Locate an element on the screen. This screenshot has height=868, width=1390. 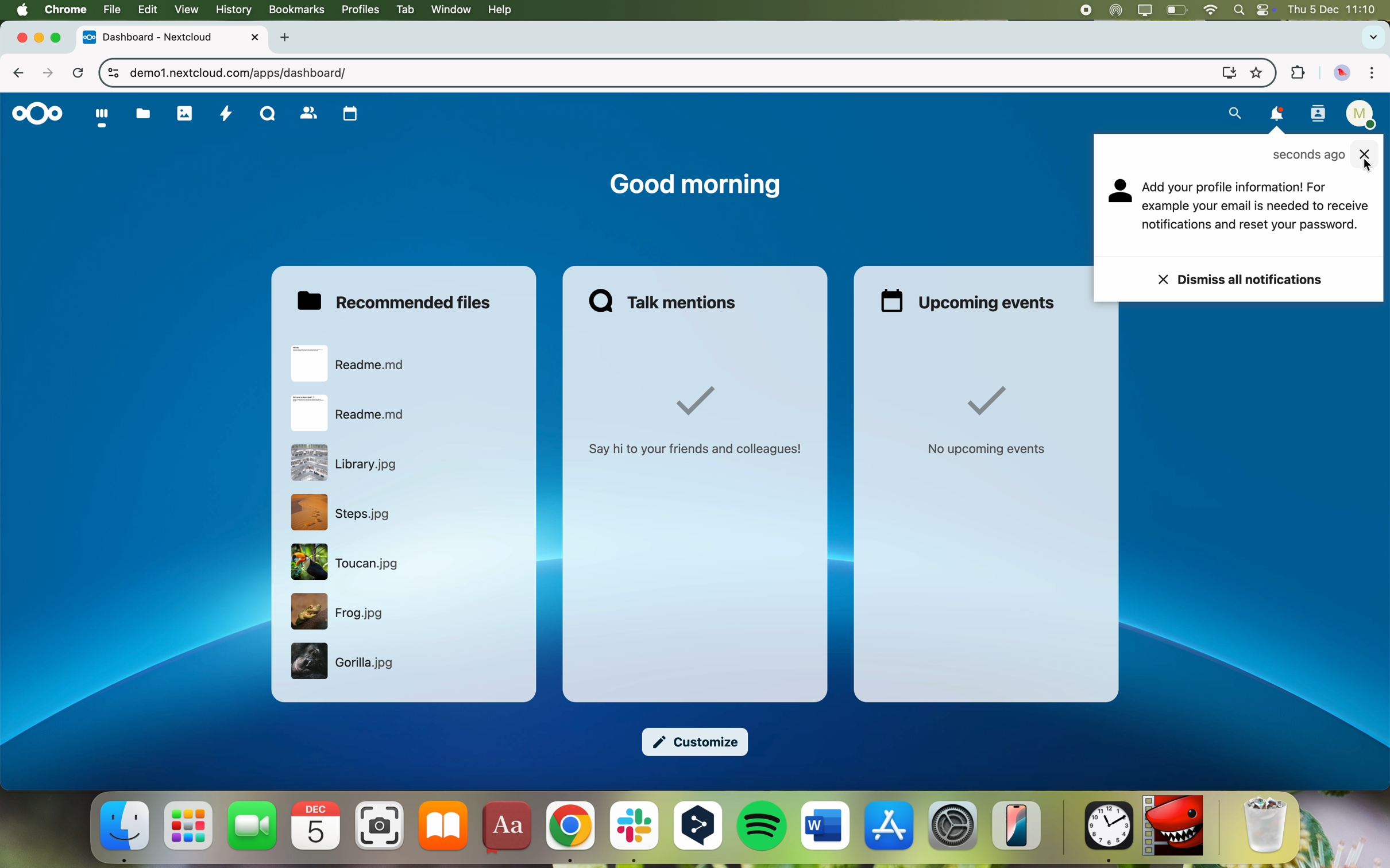
stop recording is located at coordinates (1077, 10).